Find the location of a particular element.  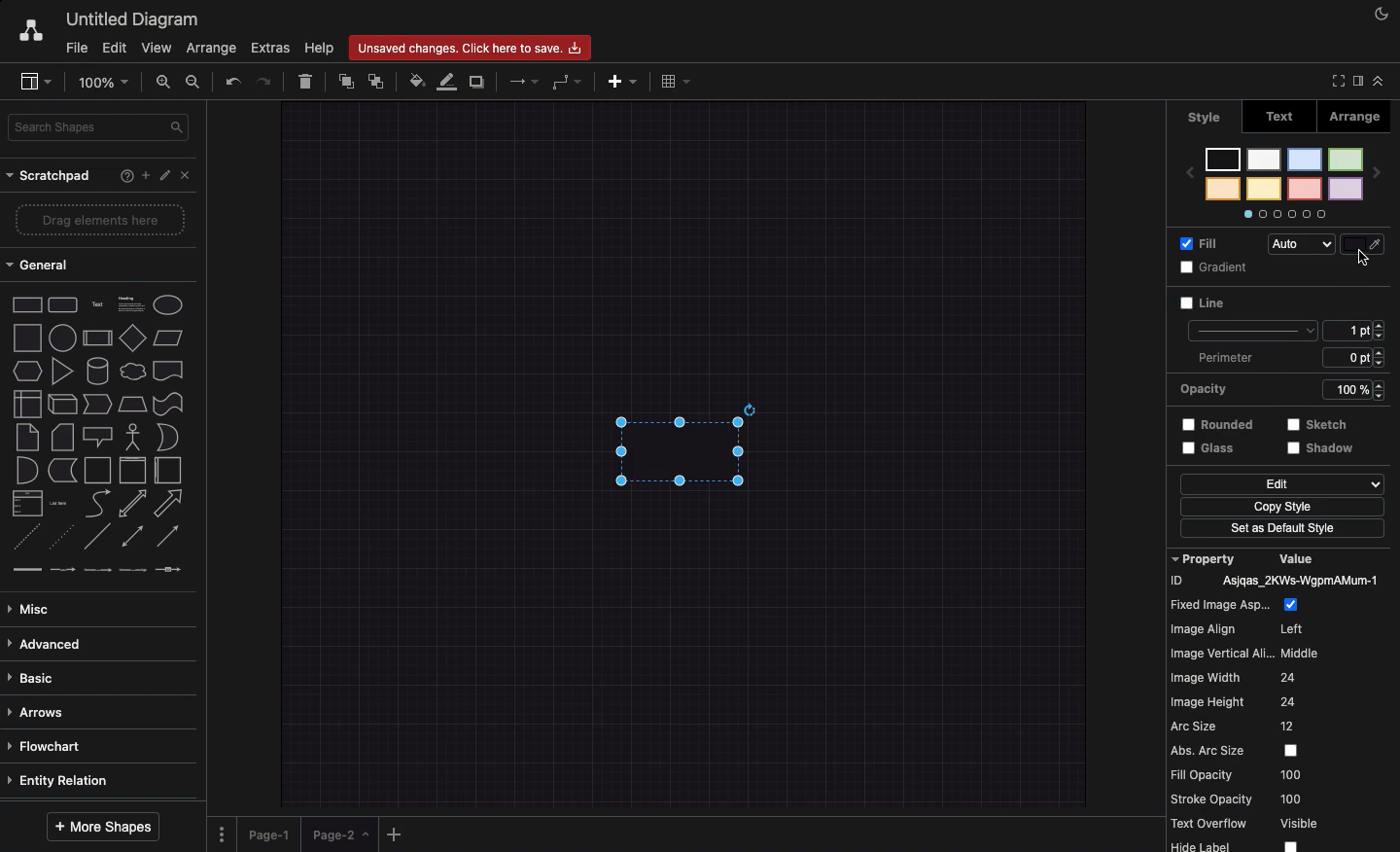

Redo is located at coordinates (266, 80).